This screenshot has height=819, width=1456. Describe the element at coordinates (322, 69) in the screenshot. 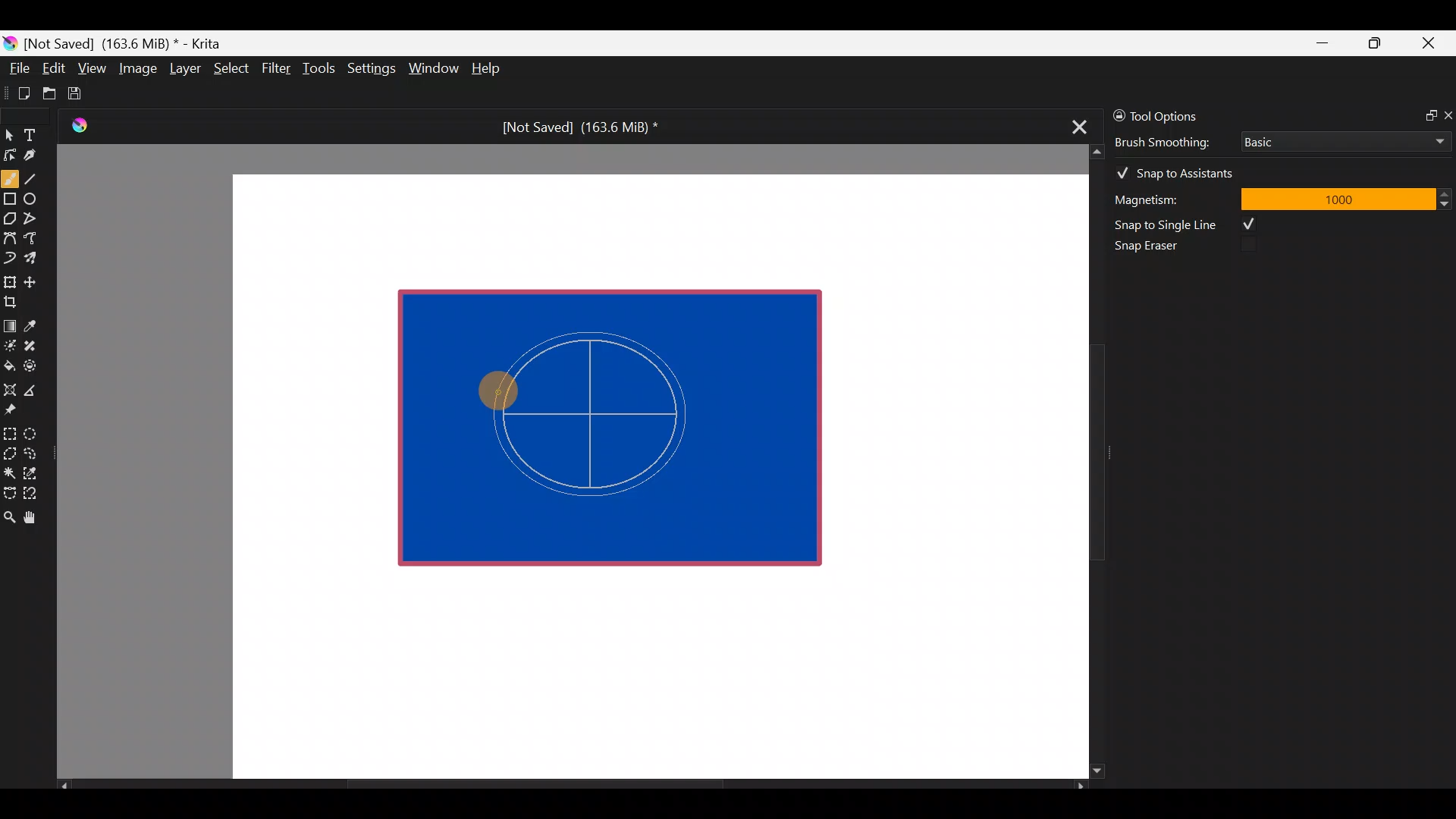

I see `Tools` at that location.